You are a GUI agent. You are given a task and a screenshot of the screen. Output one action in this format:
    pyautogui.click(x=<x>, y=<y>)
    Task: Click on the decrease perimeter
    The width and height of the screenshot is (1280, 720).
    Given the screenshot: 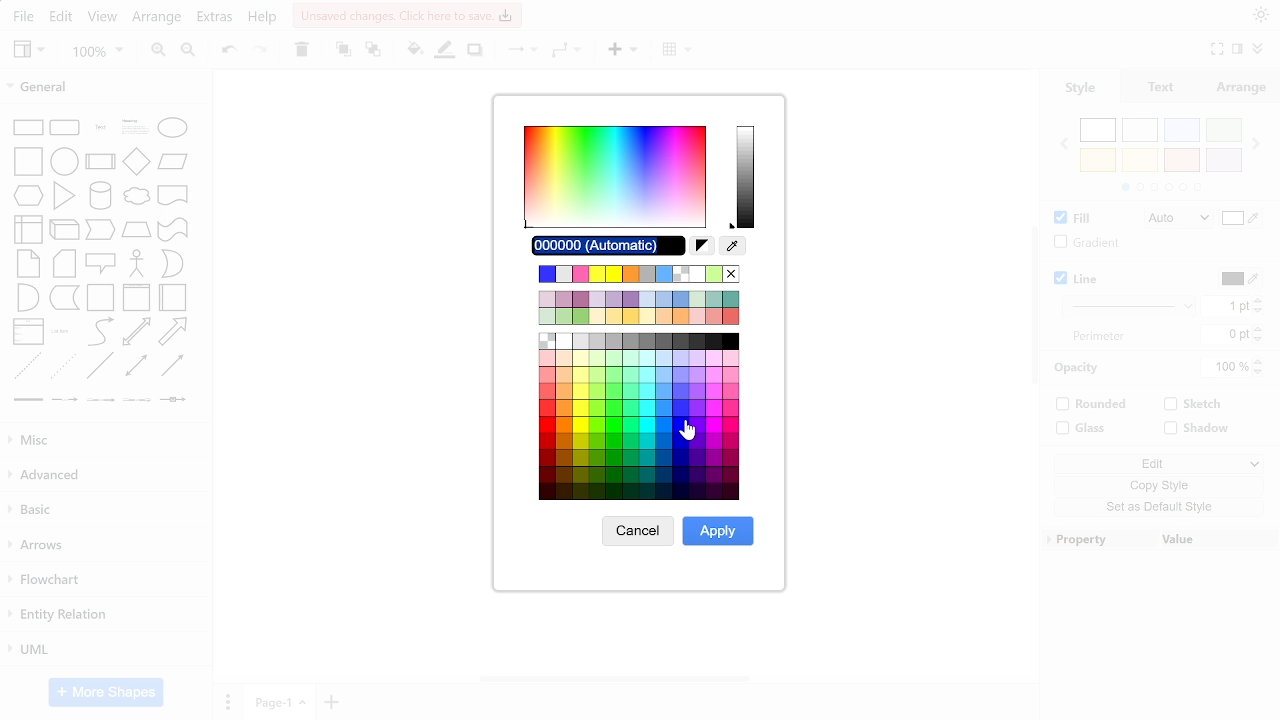 What is the action you would take?
    pyautogui.click(x=1259, y=340)
    